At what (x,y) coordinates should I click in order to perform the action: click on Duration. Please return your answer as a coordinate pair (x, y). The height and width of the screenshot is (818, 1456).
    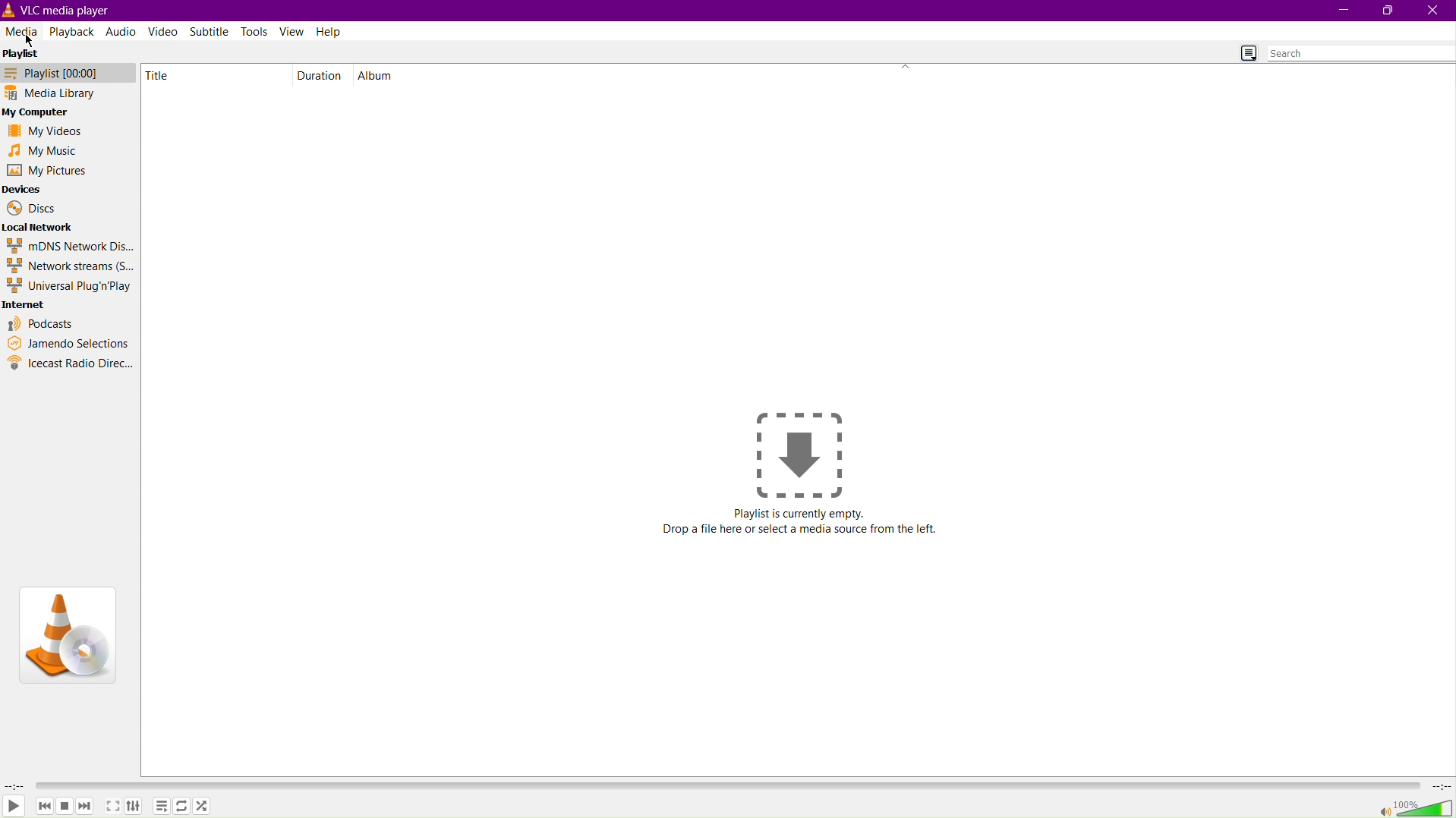
    Looking at the image, I should click on (322, 74).